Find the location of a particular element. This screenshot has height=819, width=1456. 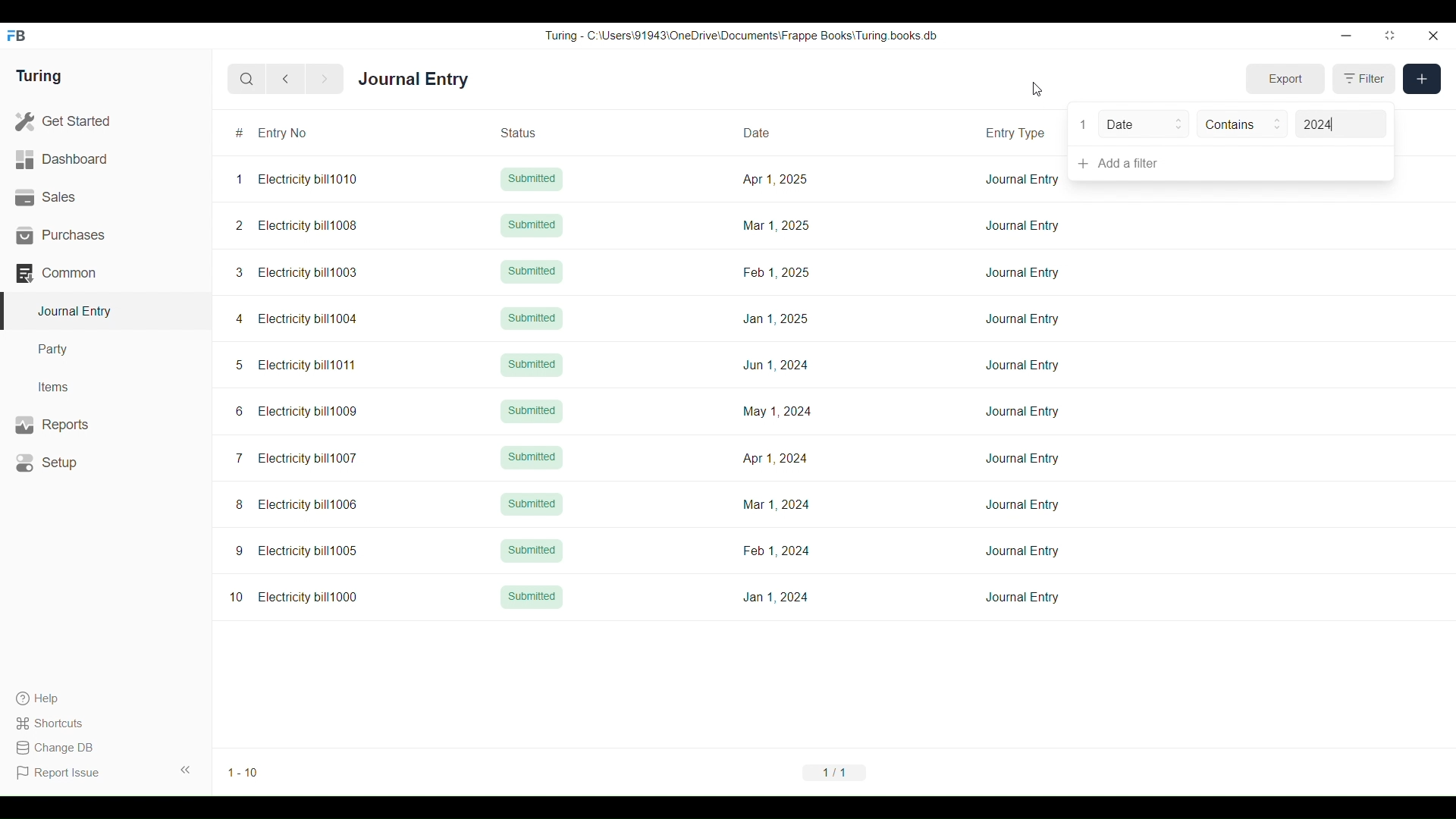

Change DB is located at coordinates (58, 748).